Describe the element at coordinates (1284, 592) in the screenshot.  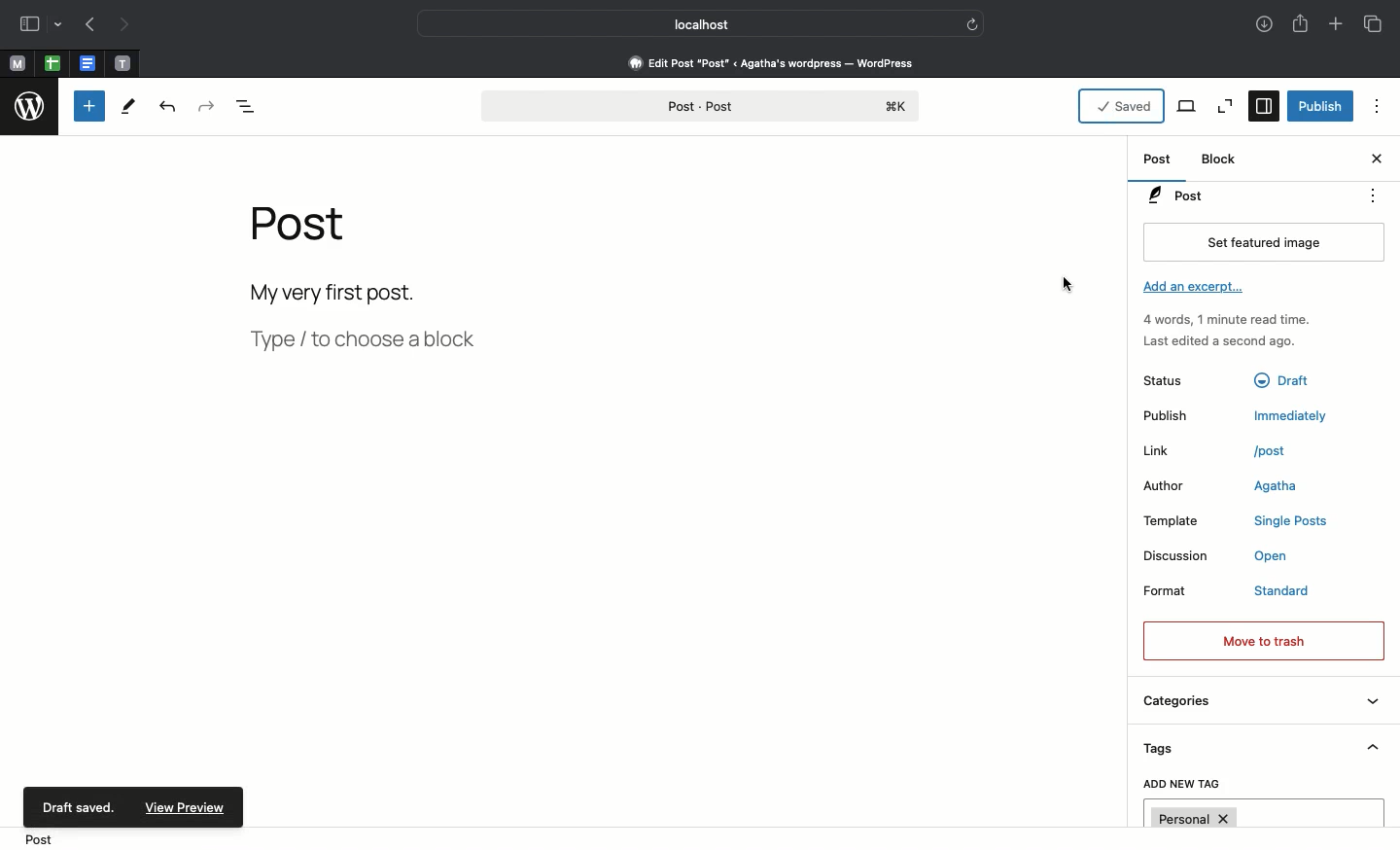
I see `standard` at that location.